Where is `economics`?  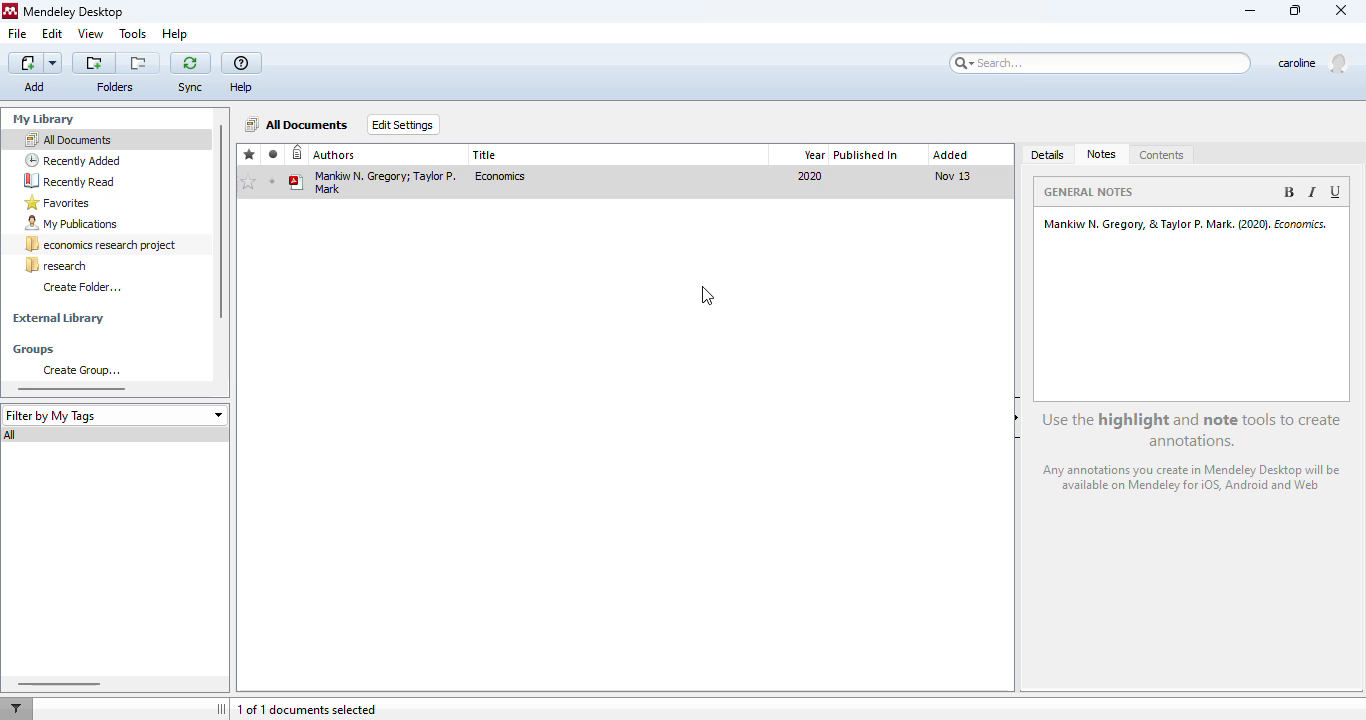 economics is located at coordinates (502, 176).